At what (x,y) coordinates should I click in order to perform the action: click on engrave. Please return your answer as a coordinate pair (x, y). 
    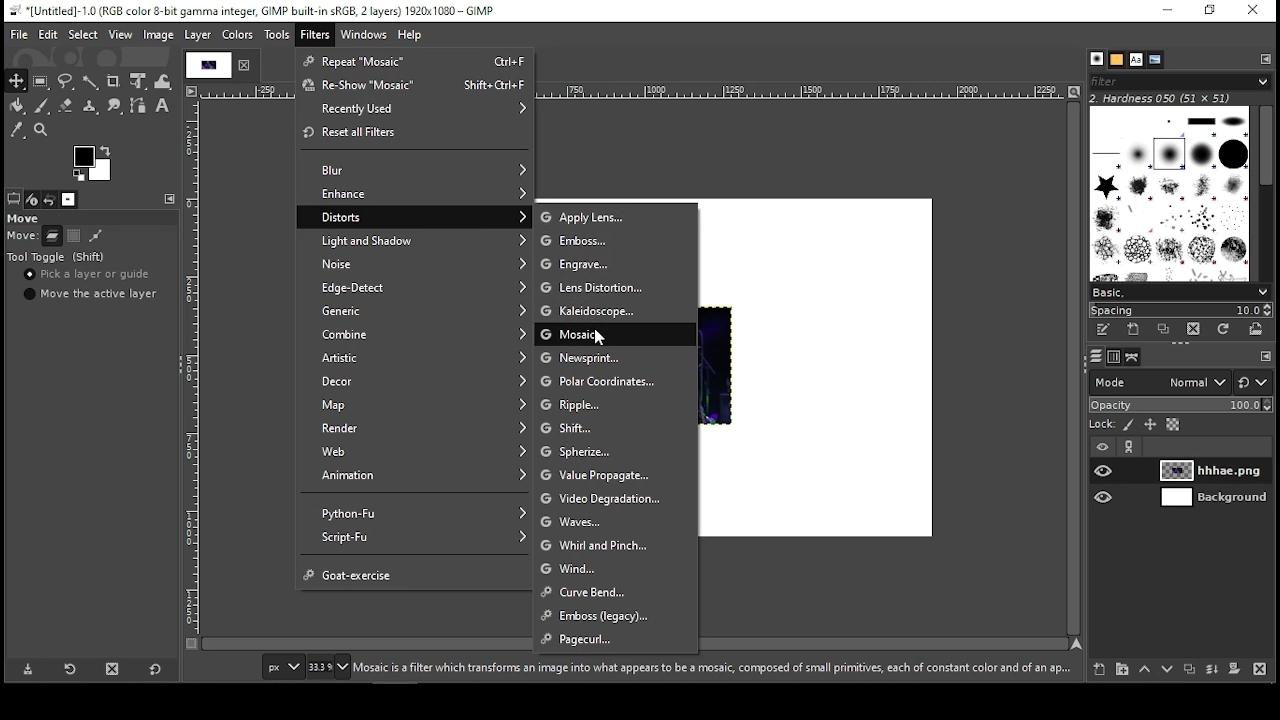
    Looking at the image, I should click on (619, 263).